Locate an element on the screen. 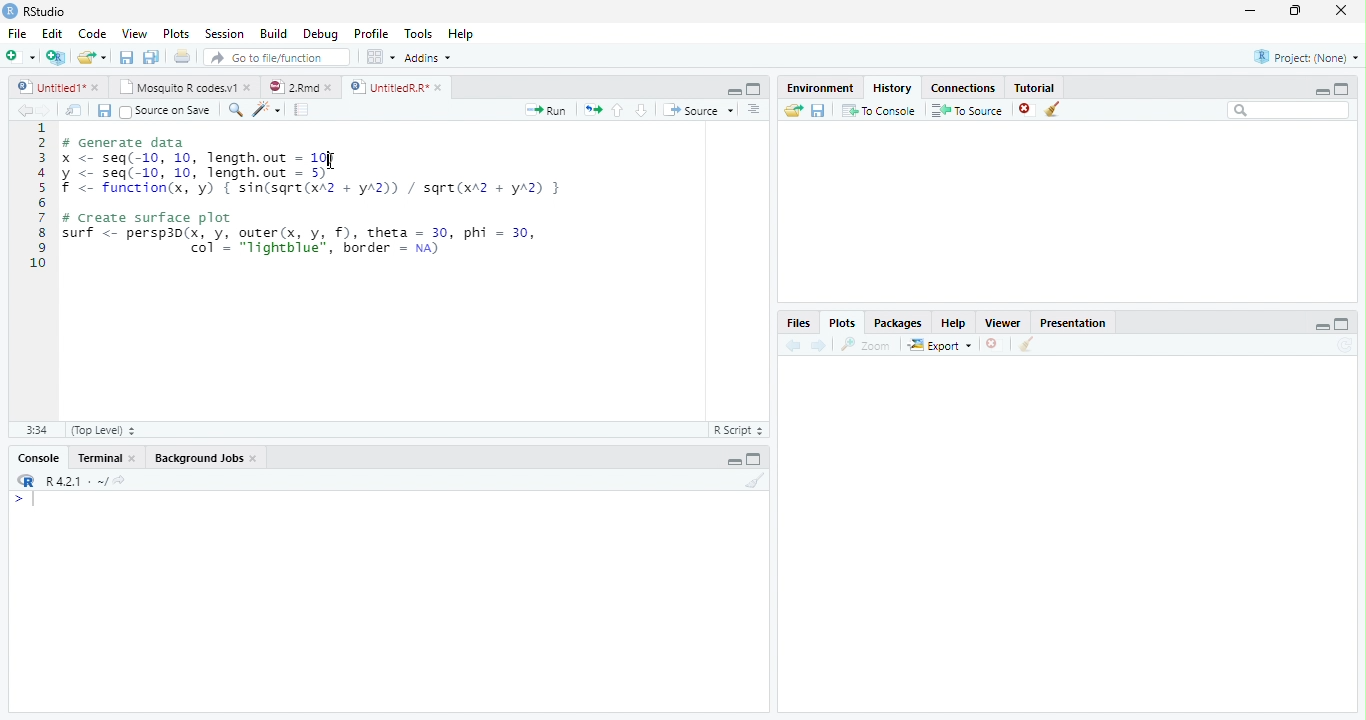  Code is located at coordinates (91, 33).